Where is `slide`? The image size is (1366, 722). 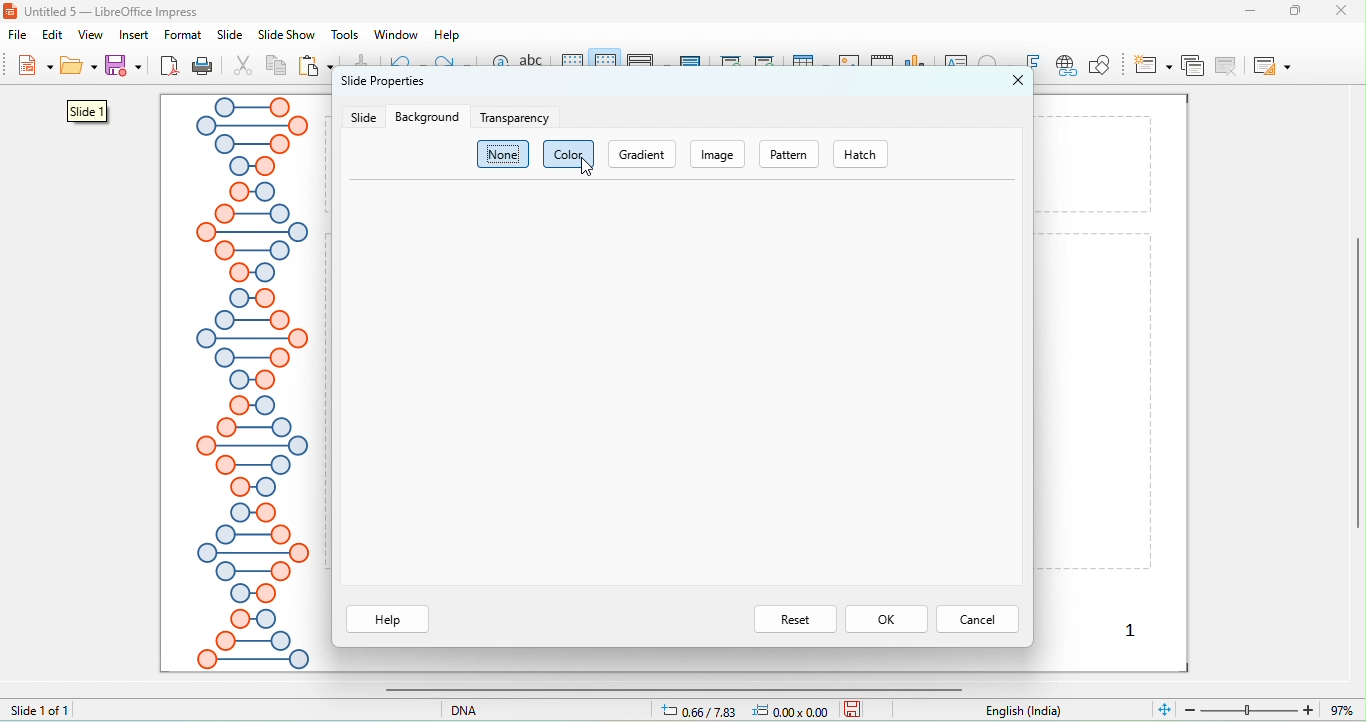 slide is located at coordinates (363, 118).